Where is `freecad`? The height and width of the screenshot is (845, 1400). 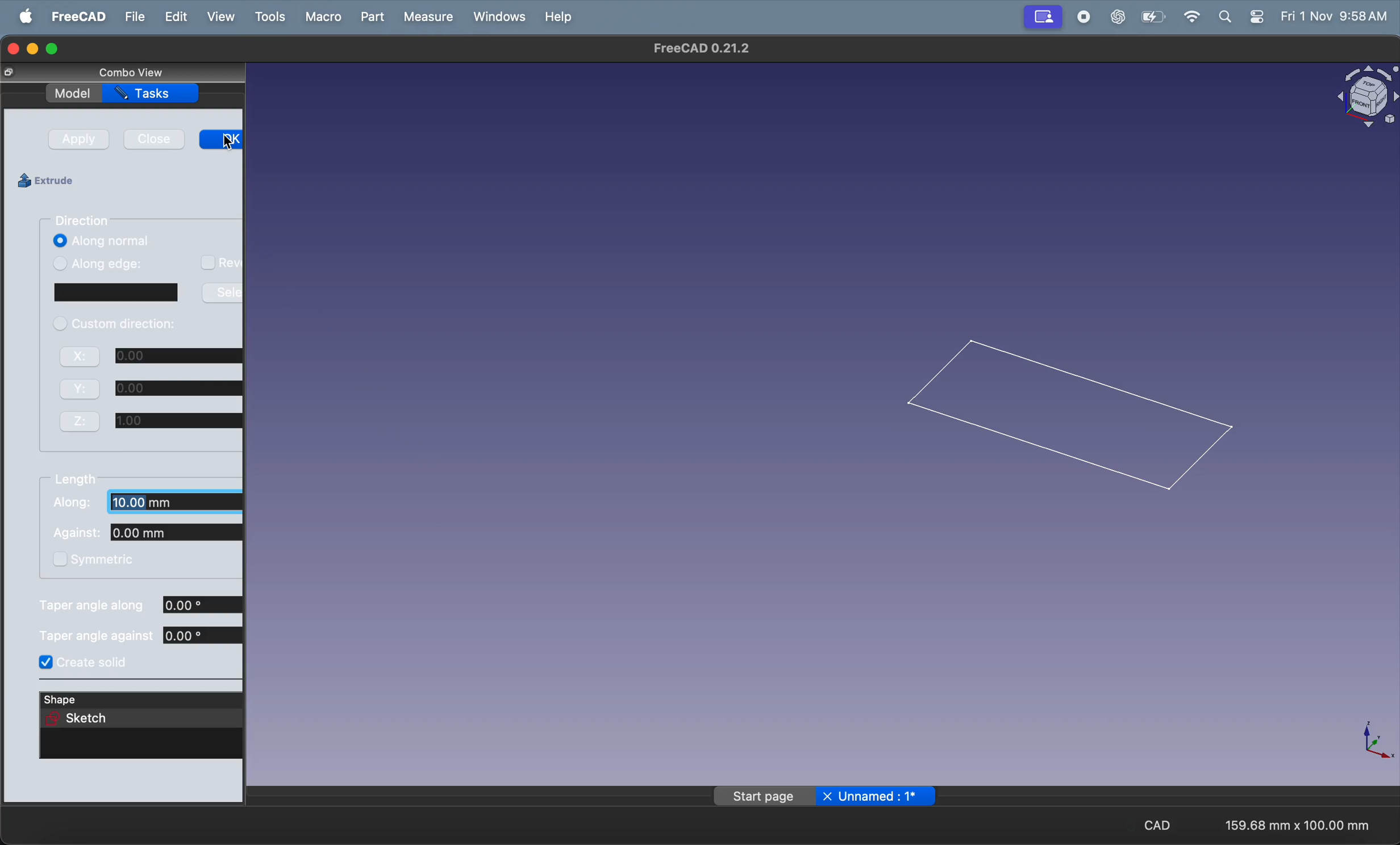 freecad is located at coordinates (74, 16).